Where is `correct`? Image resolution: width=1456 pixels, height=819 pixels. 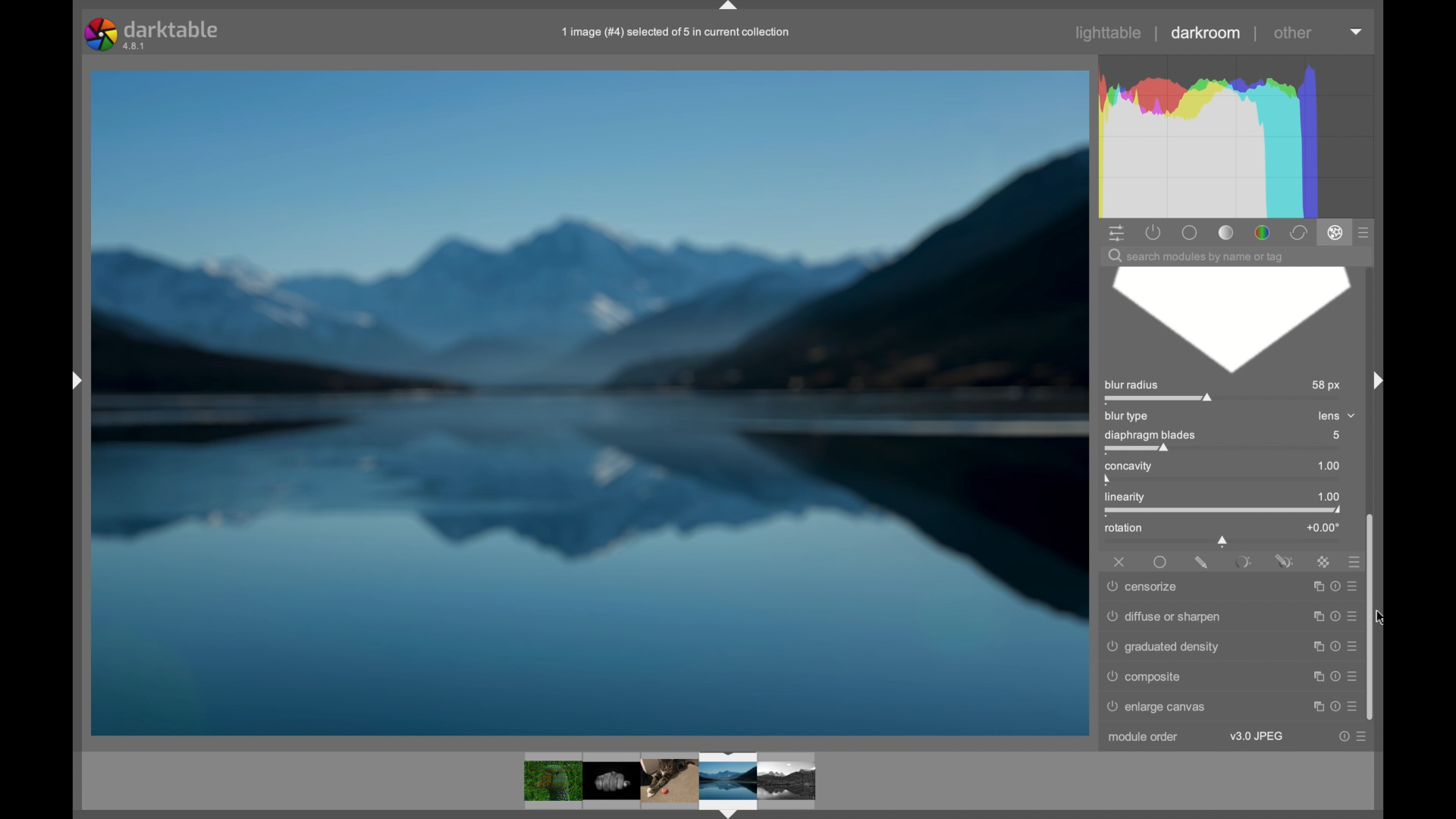
correct is located at coordinates (1298, 233).